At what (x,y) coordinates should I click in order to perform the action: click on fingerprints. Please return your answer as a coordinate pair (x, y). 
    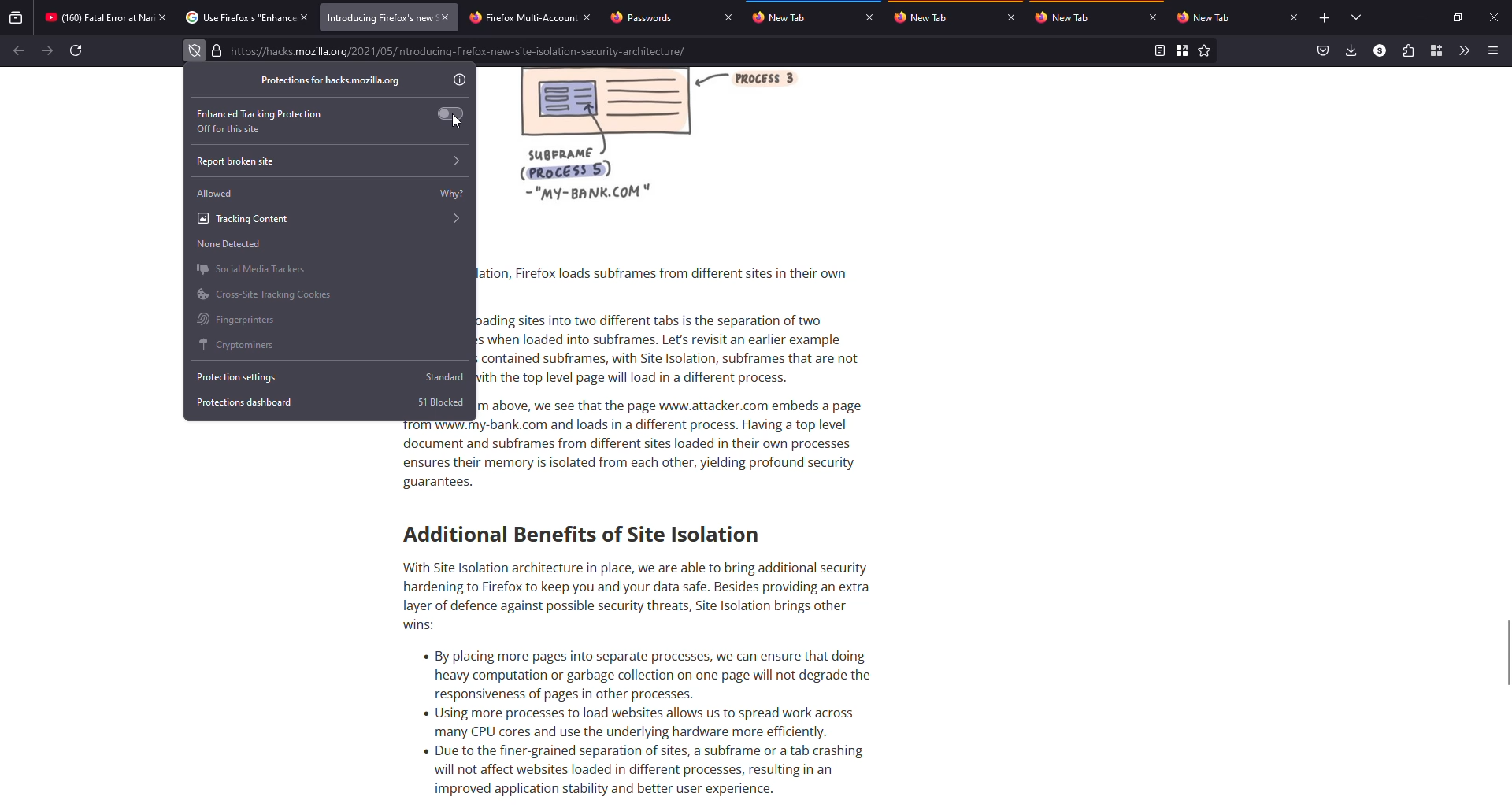
    Looking at the image, I should click on (238, 320).